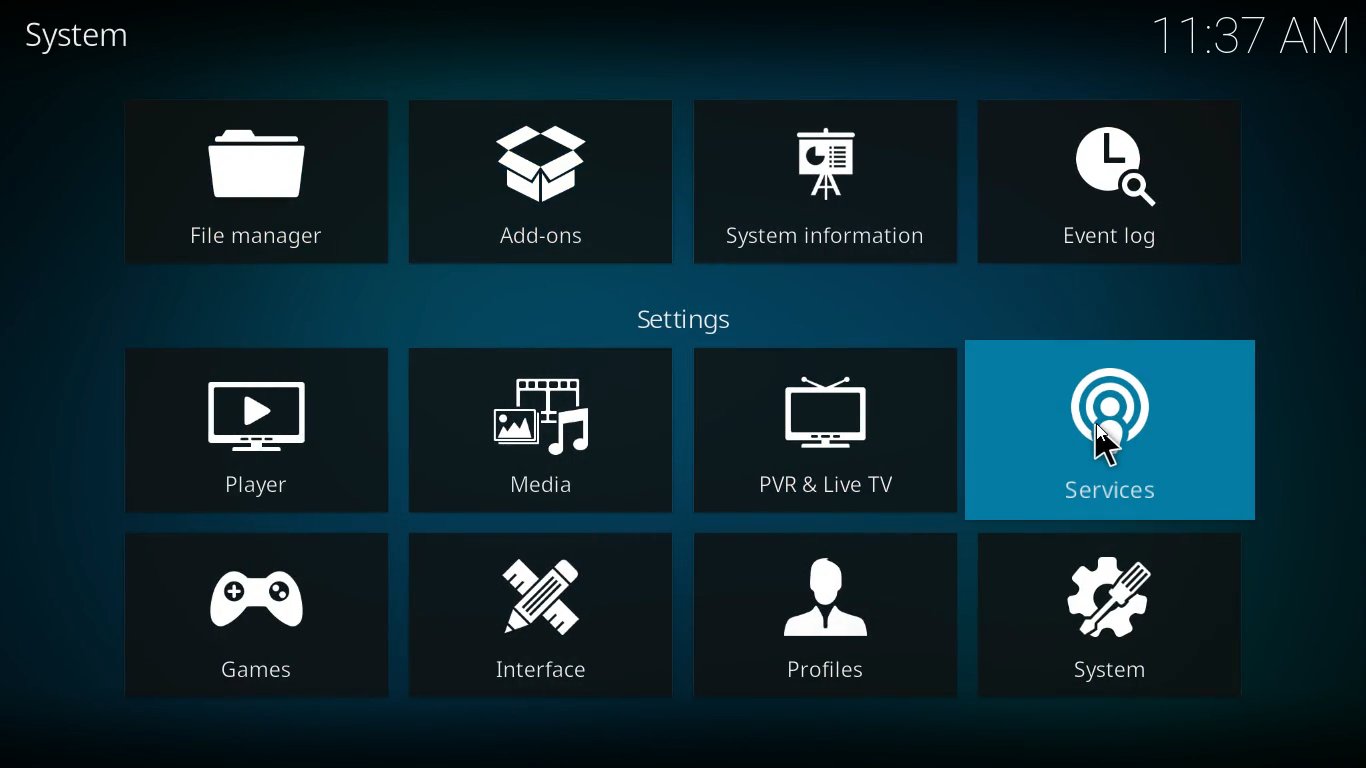 The height and width of the screenshot is (768, 1366). Describe the element at coordinates (539, 428) in the screenshot. I see `media` at that location.